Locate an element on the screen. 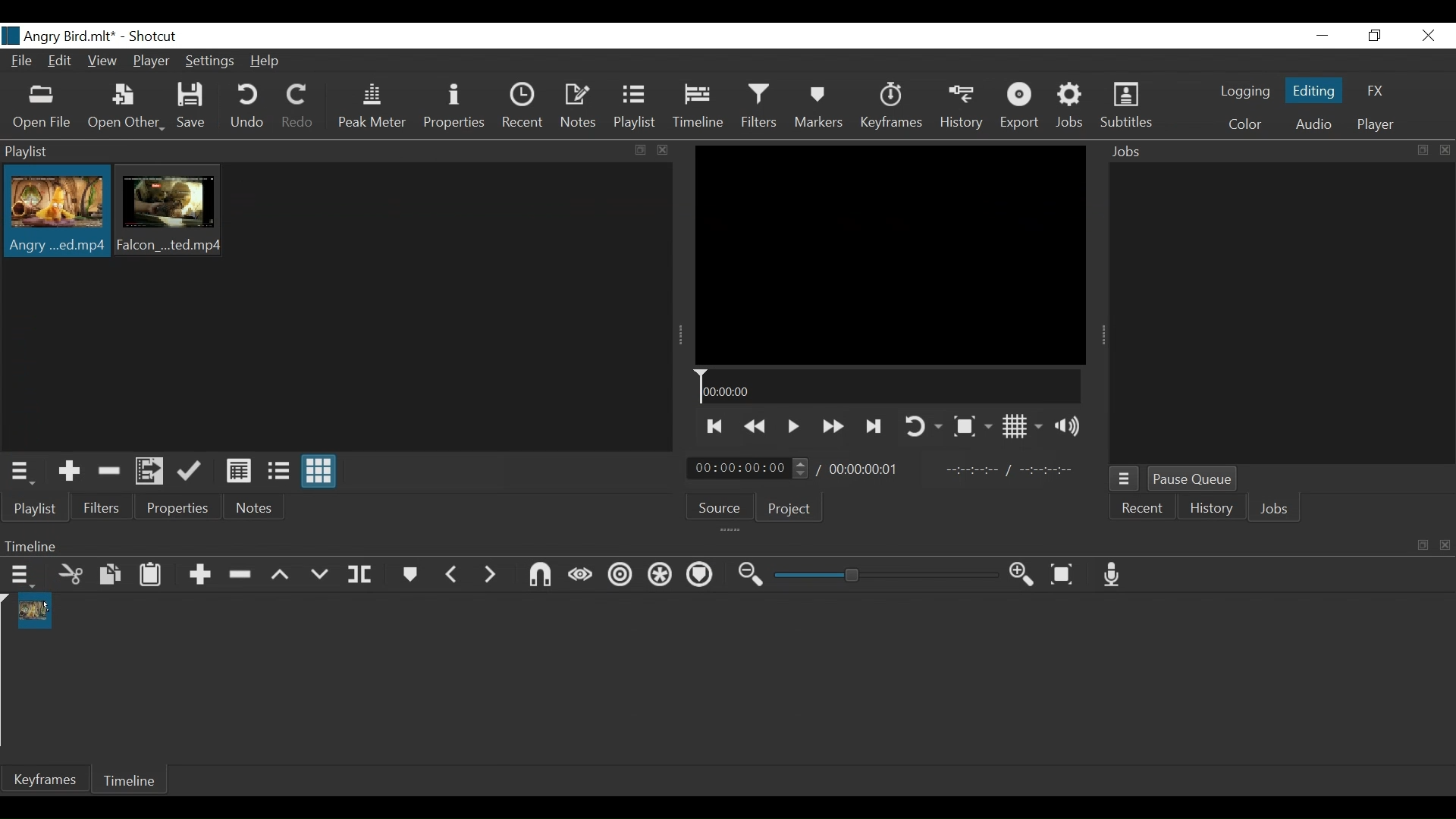  Previous Marker is located at coordinates (453, 574).